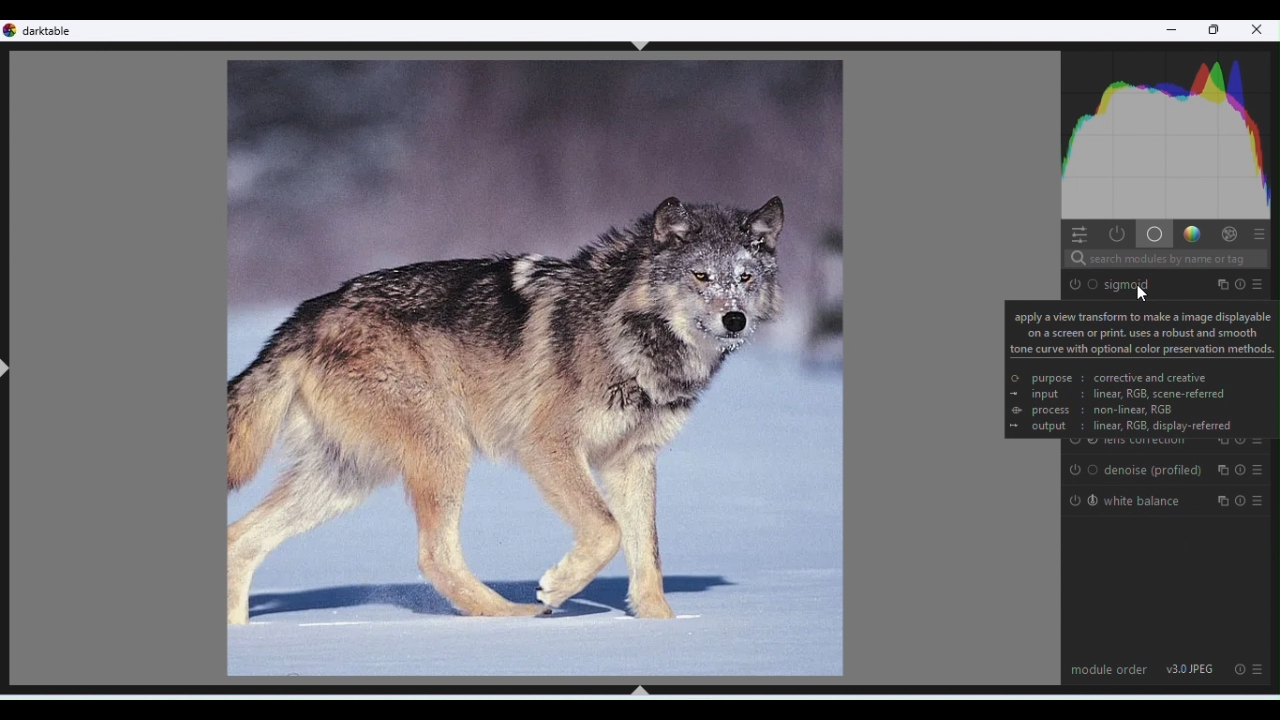 The image size is (1280, 720). I want to click on Gradient, so click(1190, 232).